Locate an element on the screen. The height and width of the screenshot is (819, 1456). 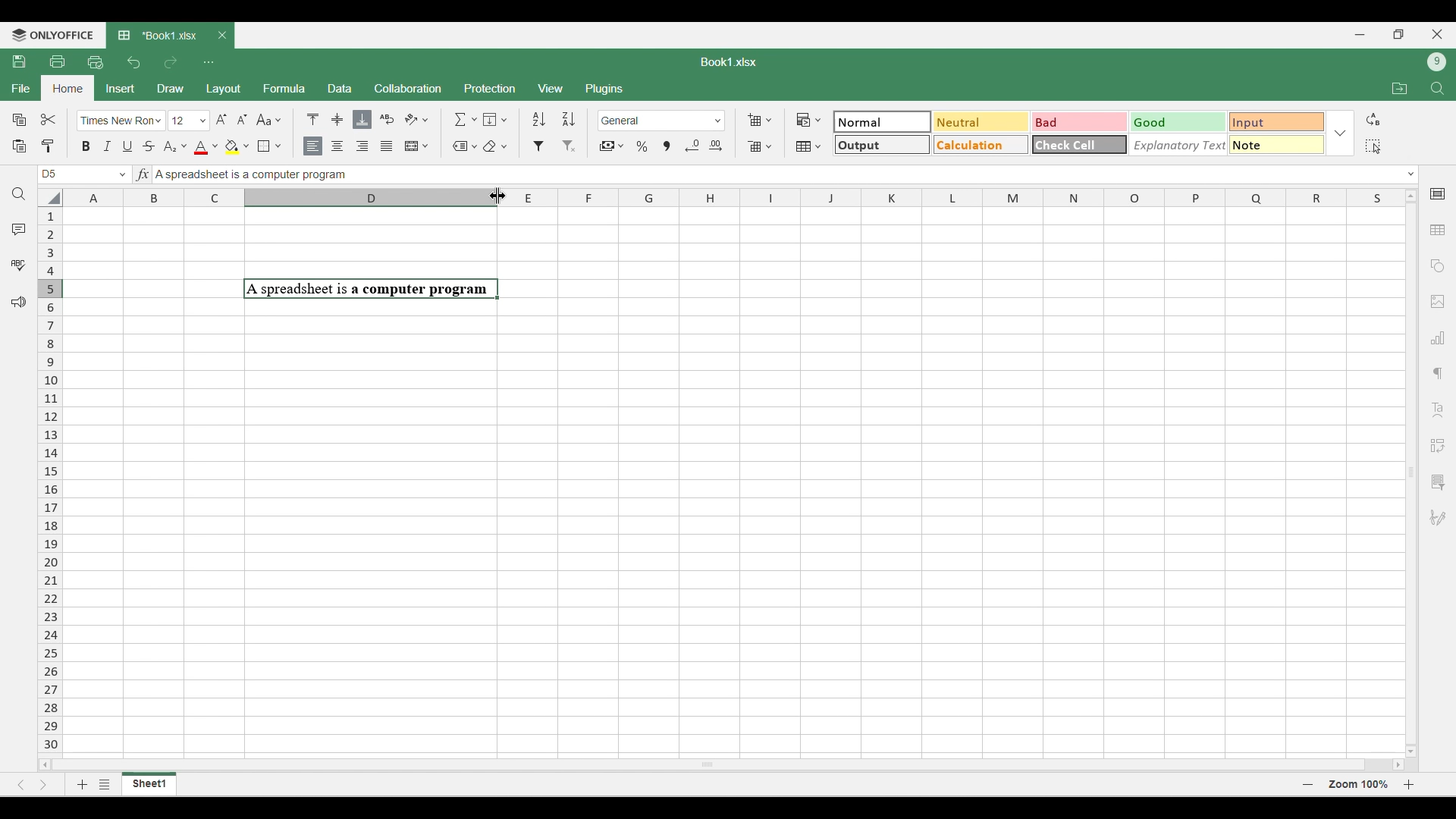
Cell type options is located at coordinates (1080, 133).